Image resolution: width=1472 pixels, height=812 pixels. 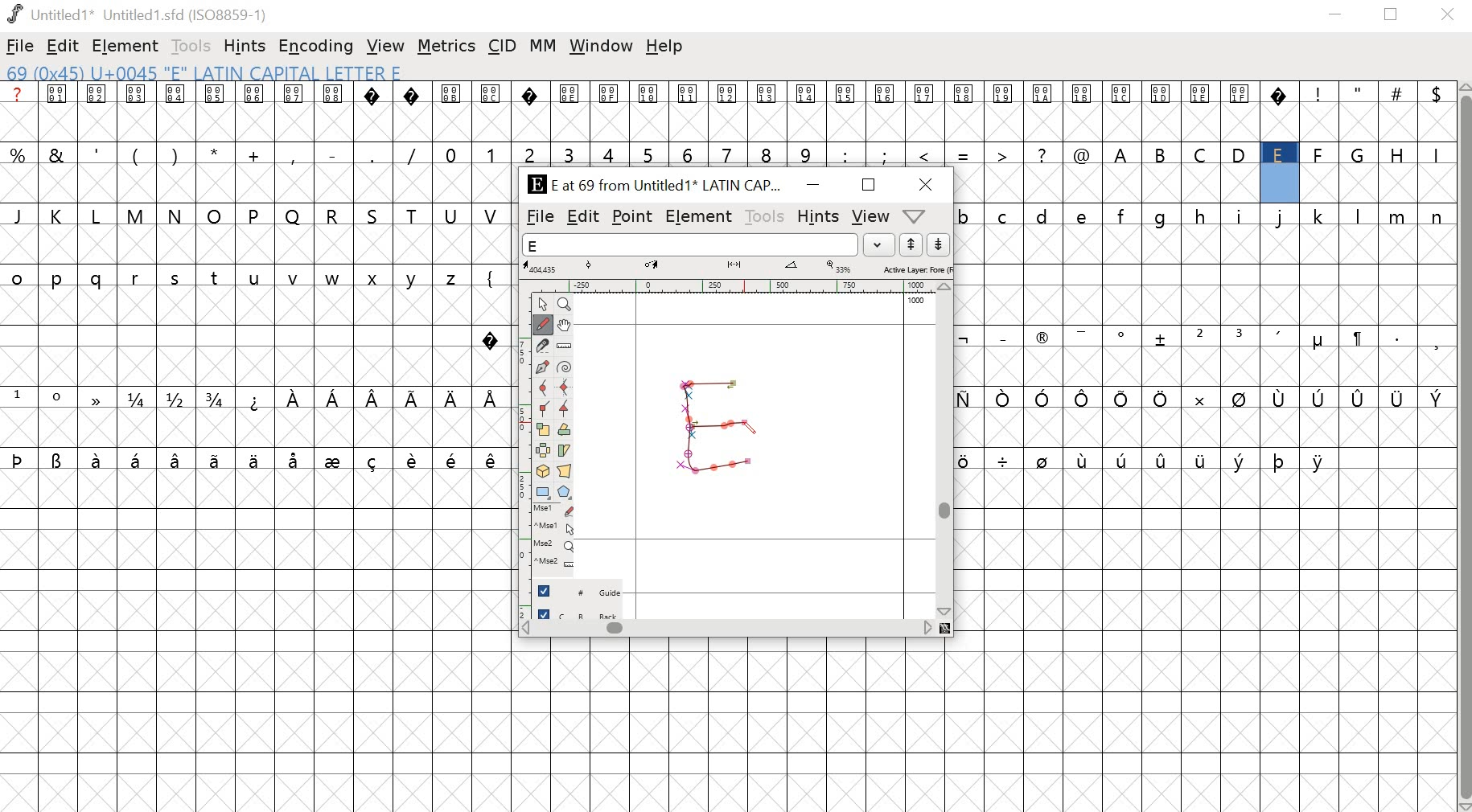 What do you see at coordinates (880, 244) in the screenshot?
I see `dropdown` at bounding box center [880, 244].